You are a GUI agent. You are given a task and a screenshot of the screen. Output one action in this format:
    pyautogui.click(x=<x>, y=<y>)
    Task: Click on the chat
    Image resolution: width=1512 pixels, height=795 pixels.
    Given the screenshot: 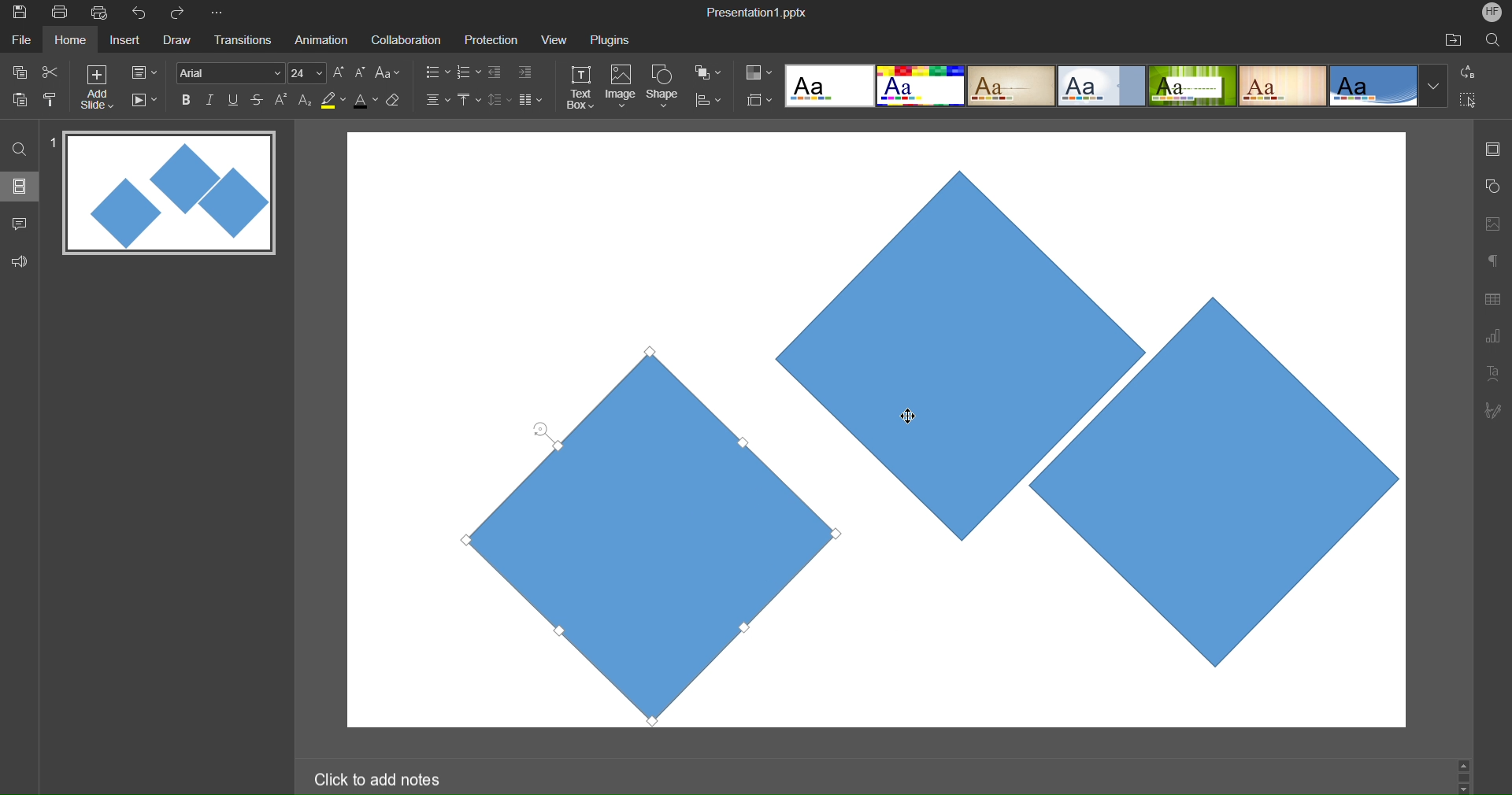 What is the action you would take?
    pyautogui.click(x=21, y=221)
    